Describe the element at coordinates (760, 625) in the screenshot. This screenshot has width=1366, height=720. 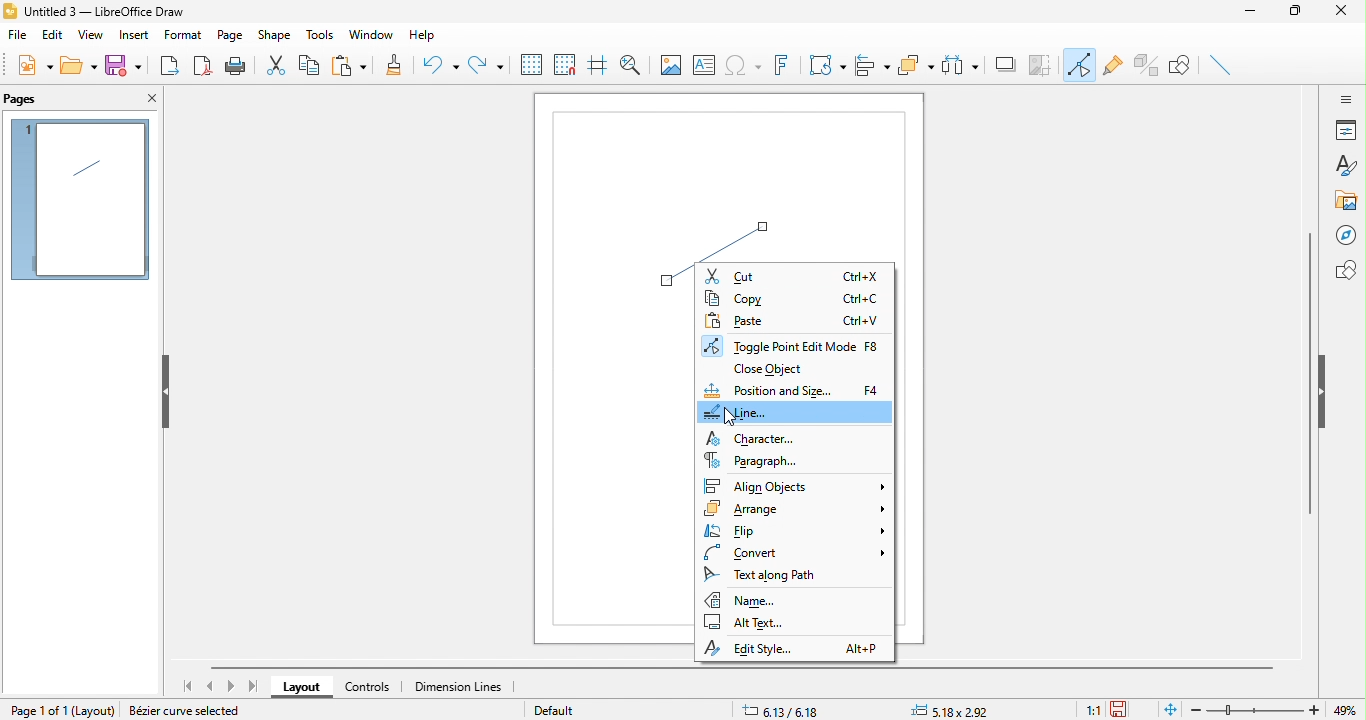
I see `alt text` at that location.